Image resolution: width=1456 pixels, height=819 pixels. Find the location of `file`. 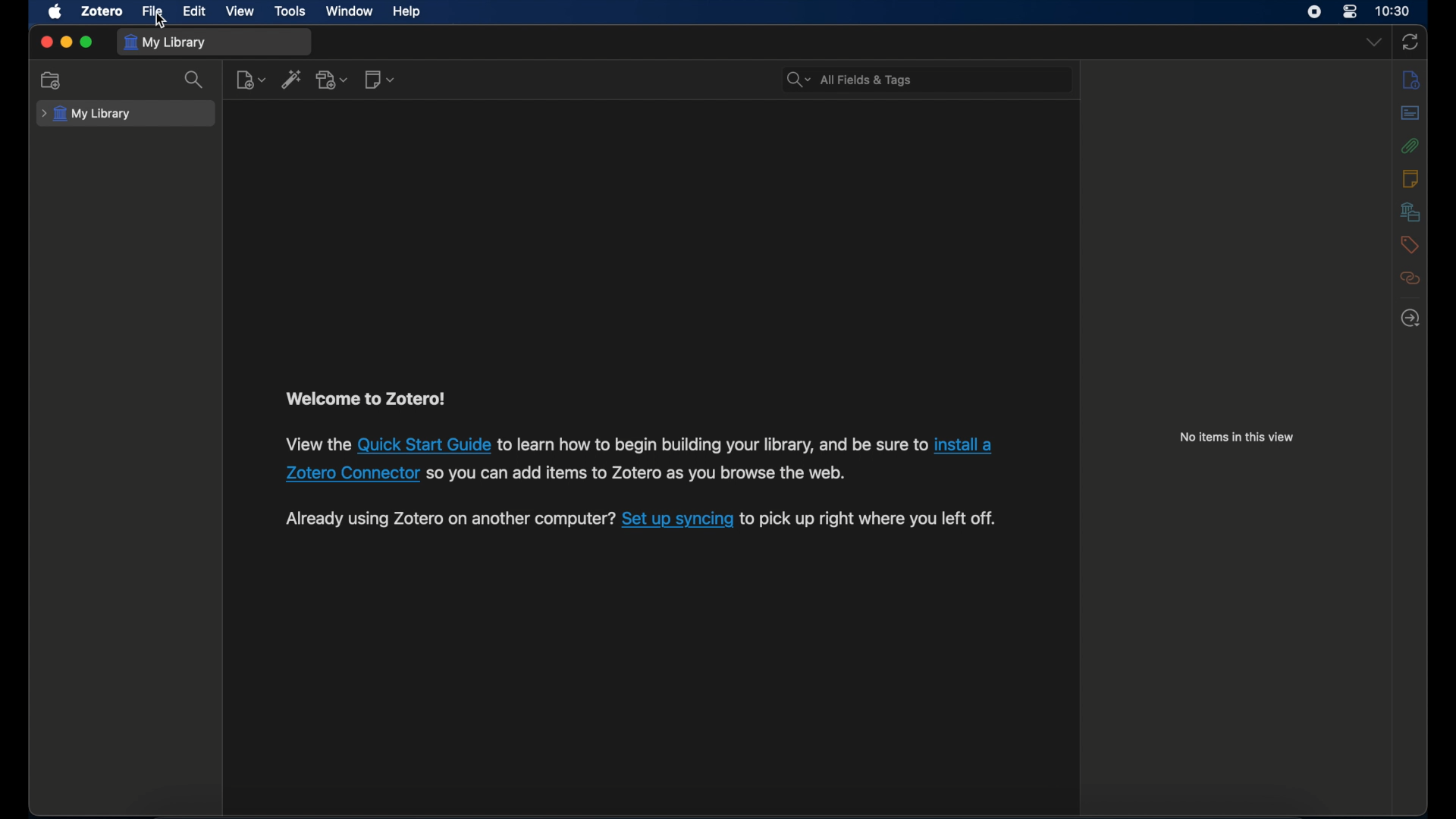

file is located at coordinates (152, 11).